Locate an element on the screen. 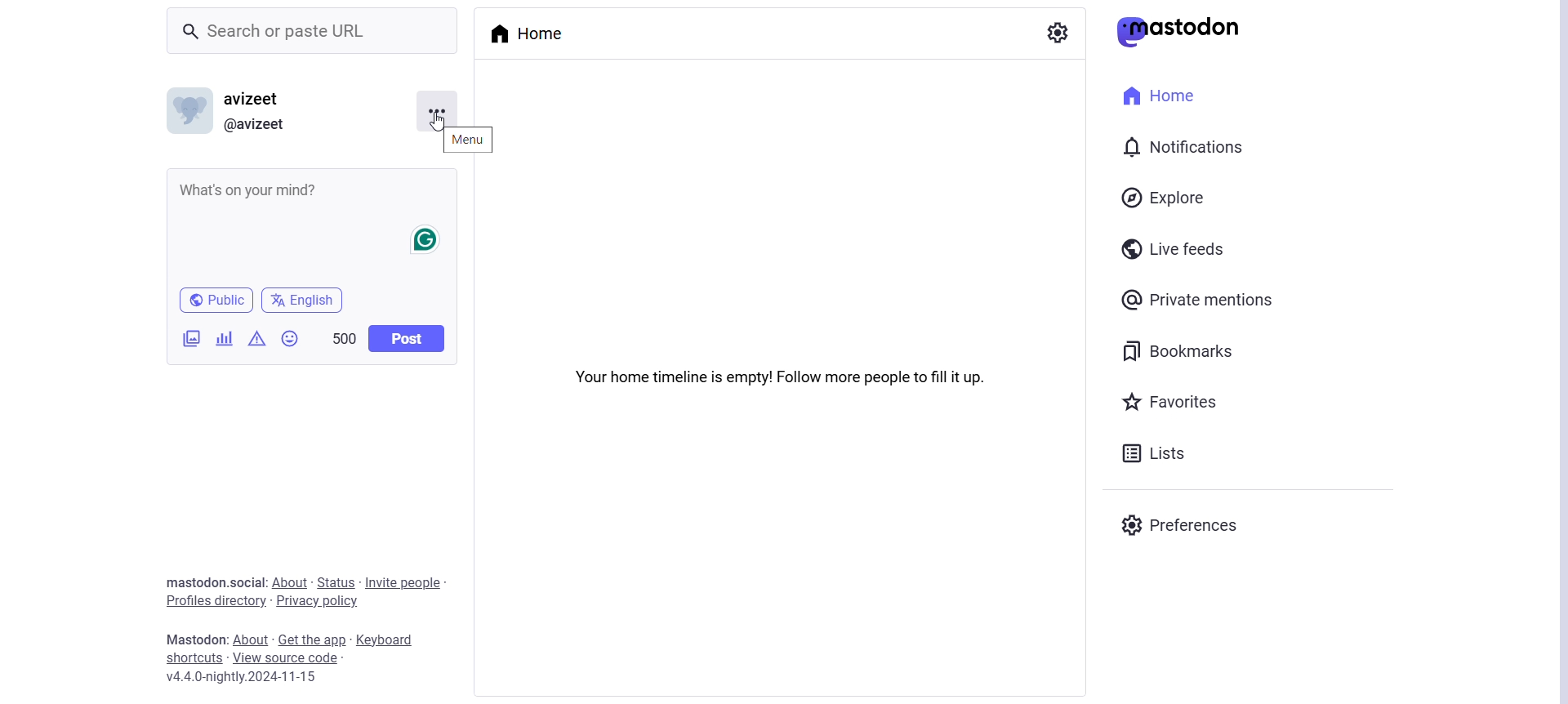 Image resolution: width=1568 pixels, height=704 pixels. Text is located at coordinates (194, 639).